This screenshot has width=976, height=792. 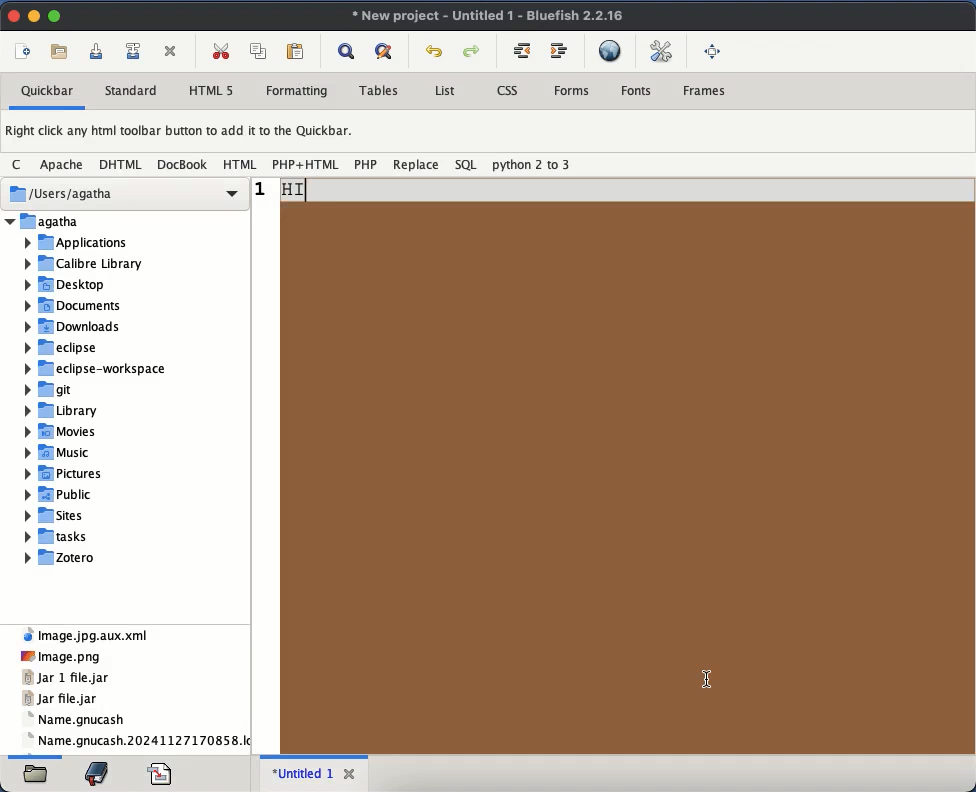 What do you see at coordinates (57, 515) in the screenshot?
I see `Sites` at bounding box center [57, 515].